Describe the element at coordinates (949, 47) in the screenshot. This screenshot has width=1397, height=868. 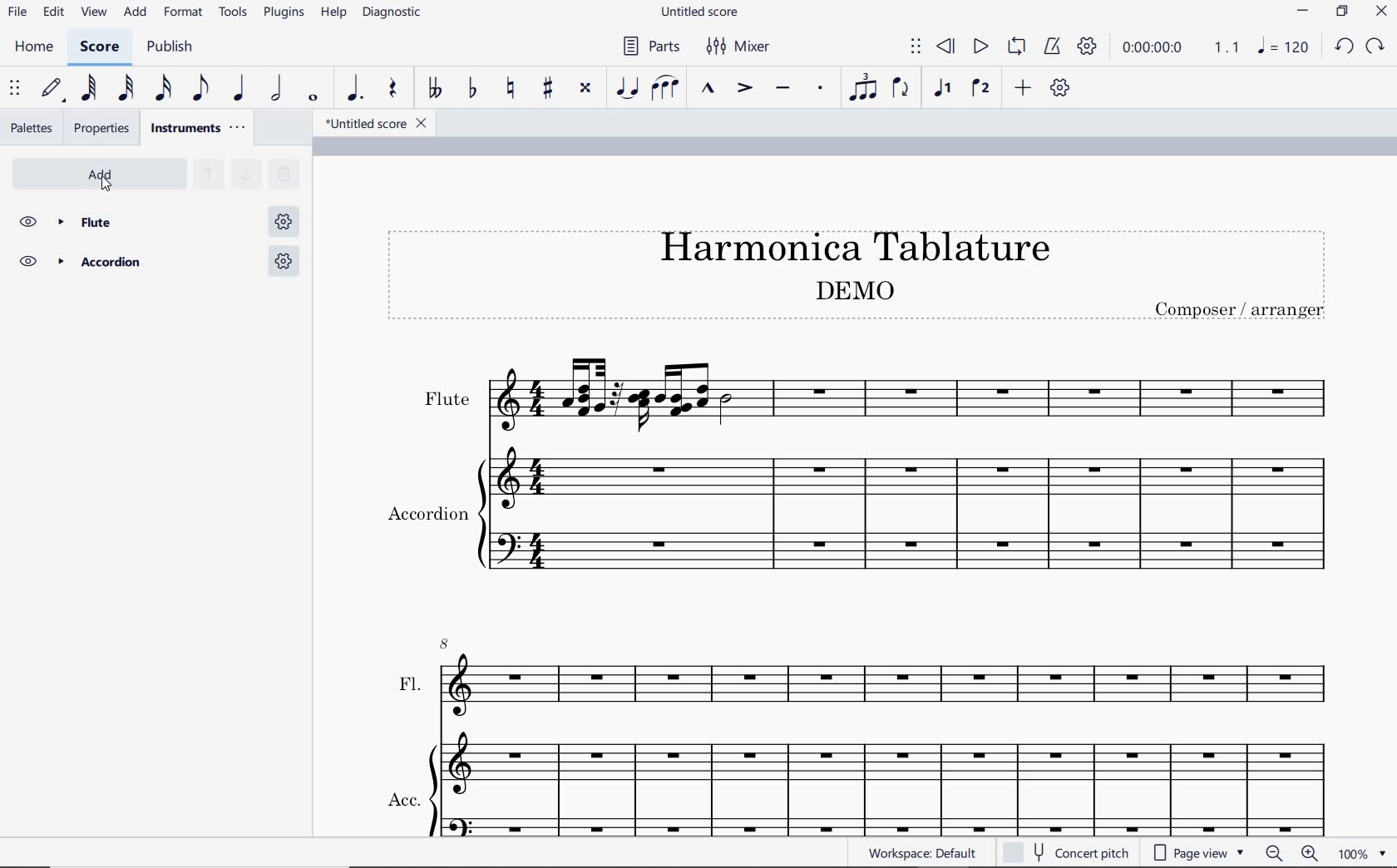
I see `rewind` at that location.